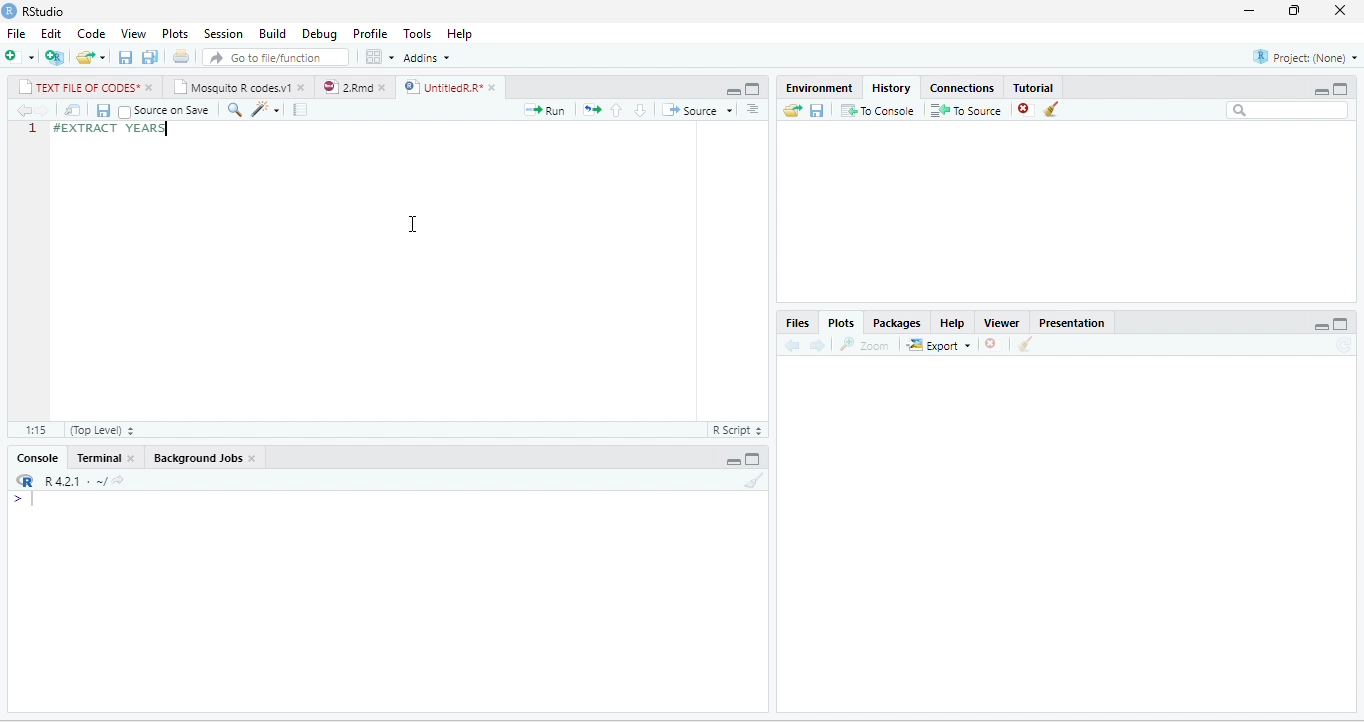  I want to click on TEXT FILE OF CODES, so click(78, 87).